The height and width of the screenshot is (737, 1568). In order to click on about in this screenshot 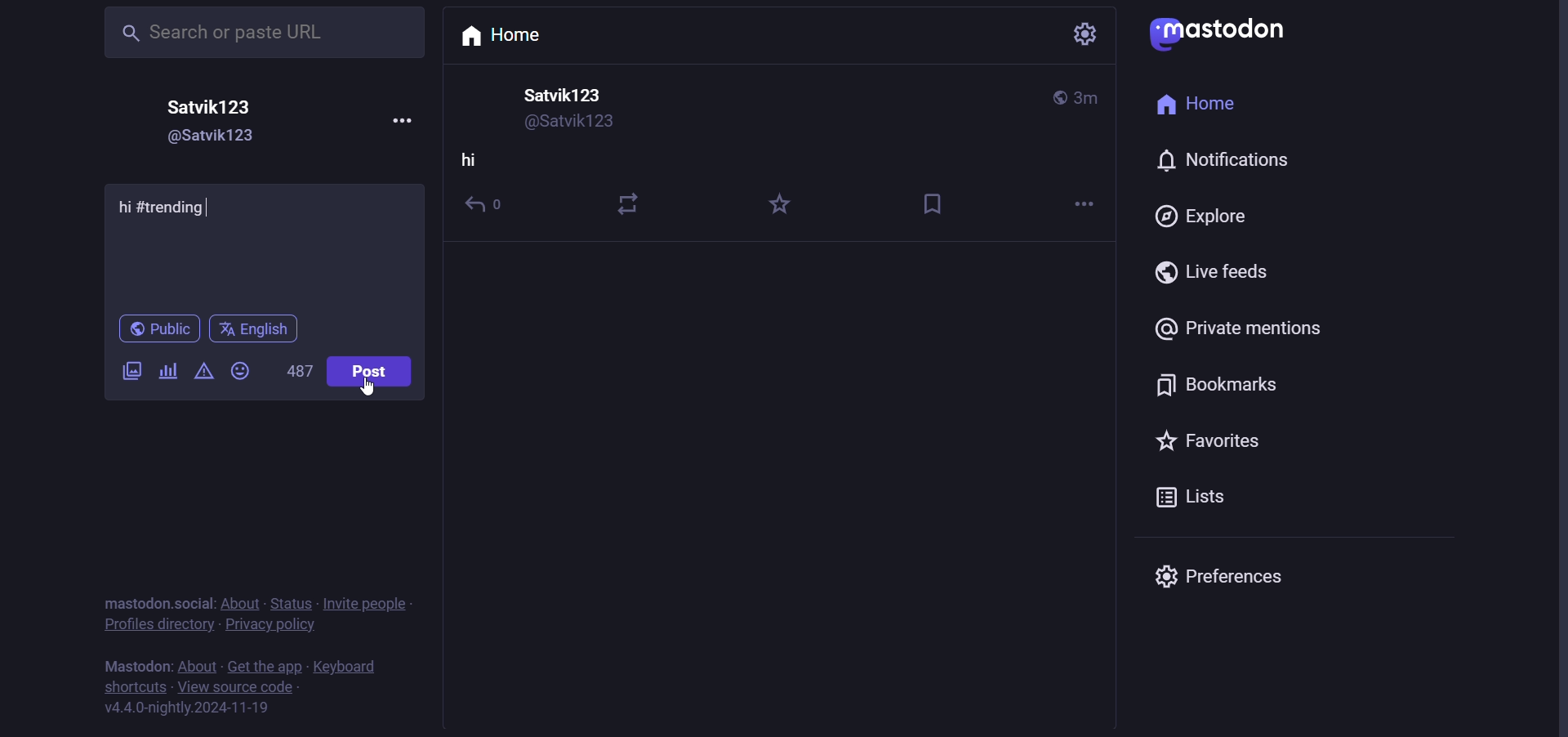, I will do `click(198, 666)`.